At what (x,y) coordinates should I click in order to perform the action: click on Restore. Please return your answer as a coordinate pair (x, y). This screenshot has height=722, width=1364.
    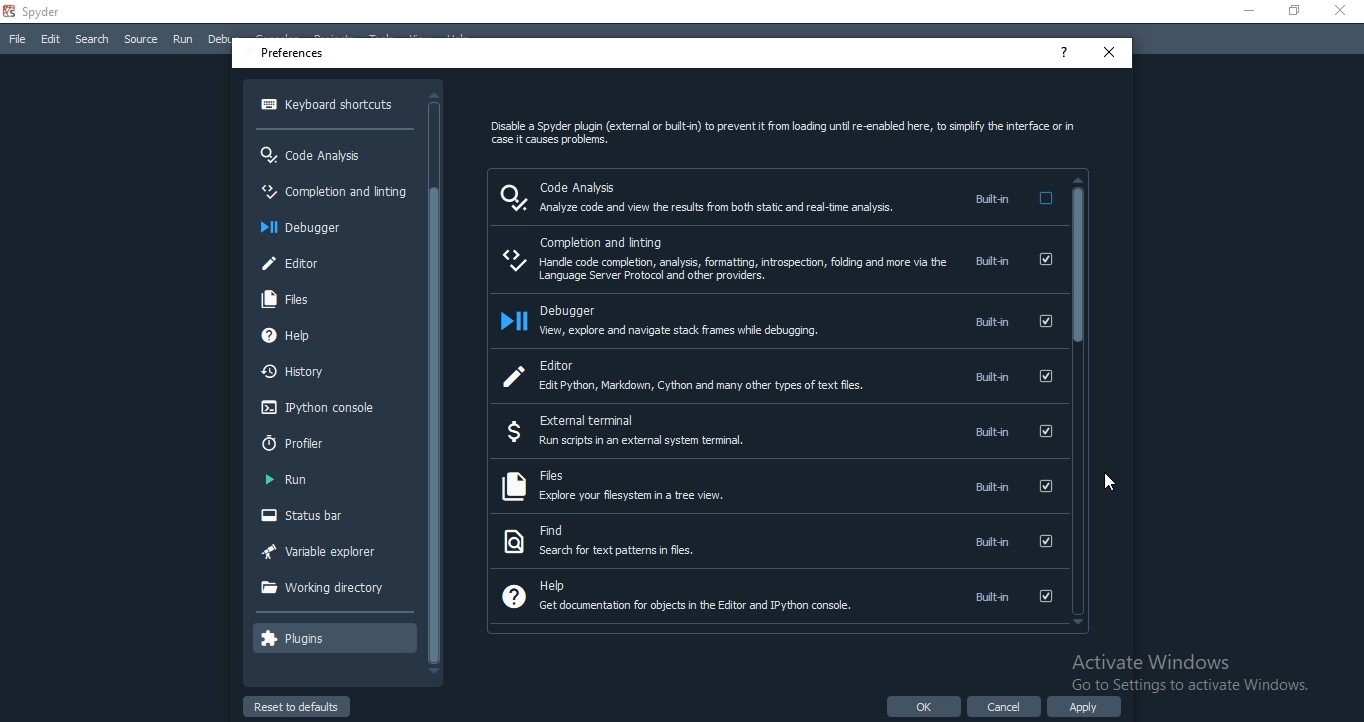
    Looking at the image, I should click on (1293, 12).